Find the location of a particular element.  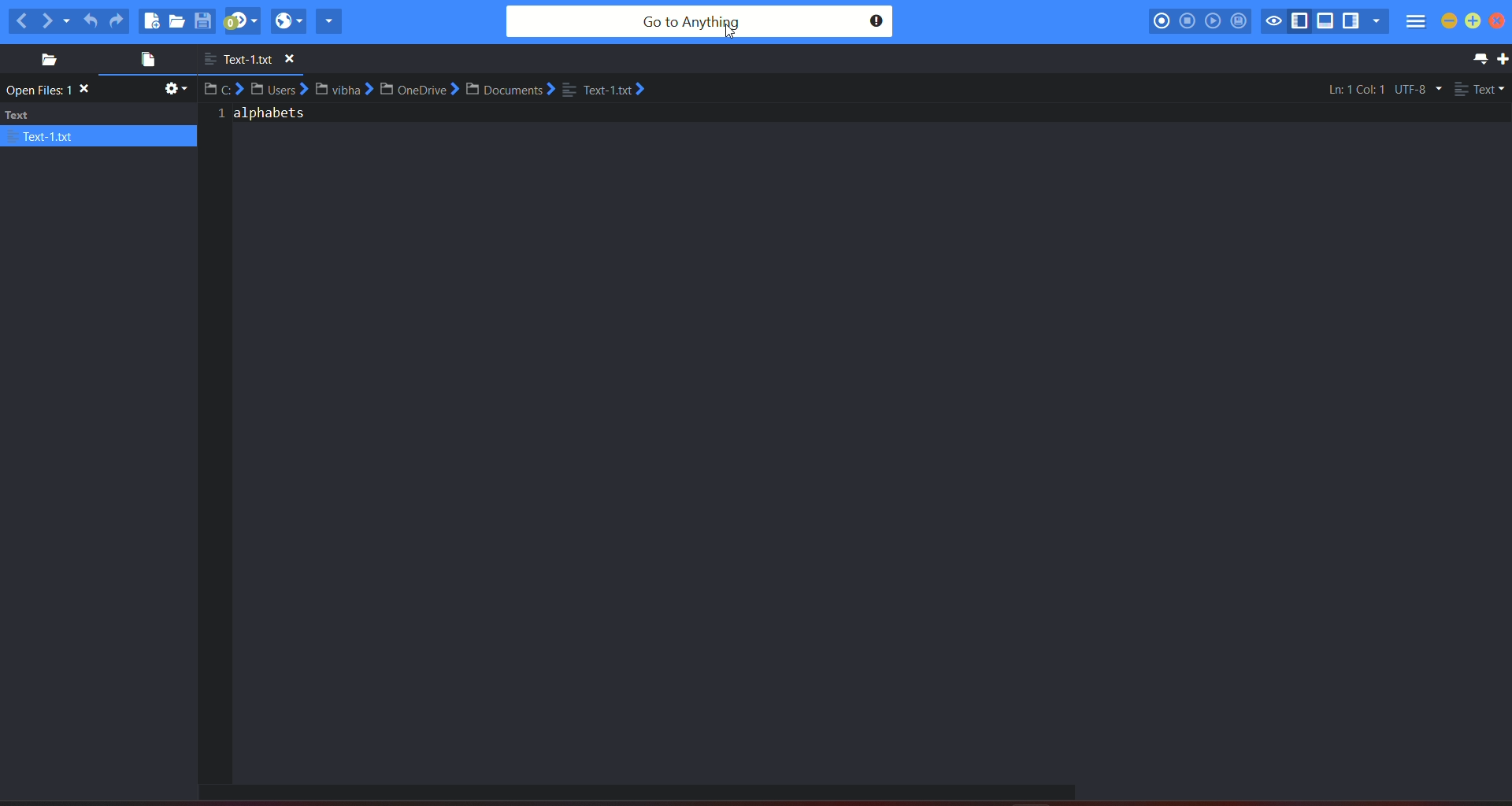

minimize is located at coordinates (1449, 21).